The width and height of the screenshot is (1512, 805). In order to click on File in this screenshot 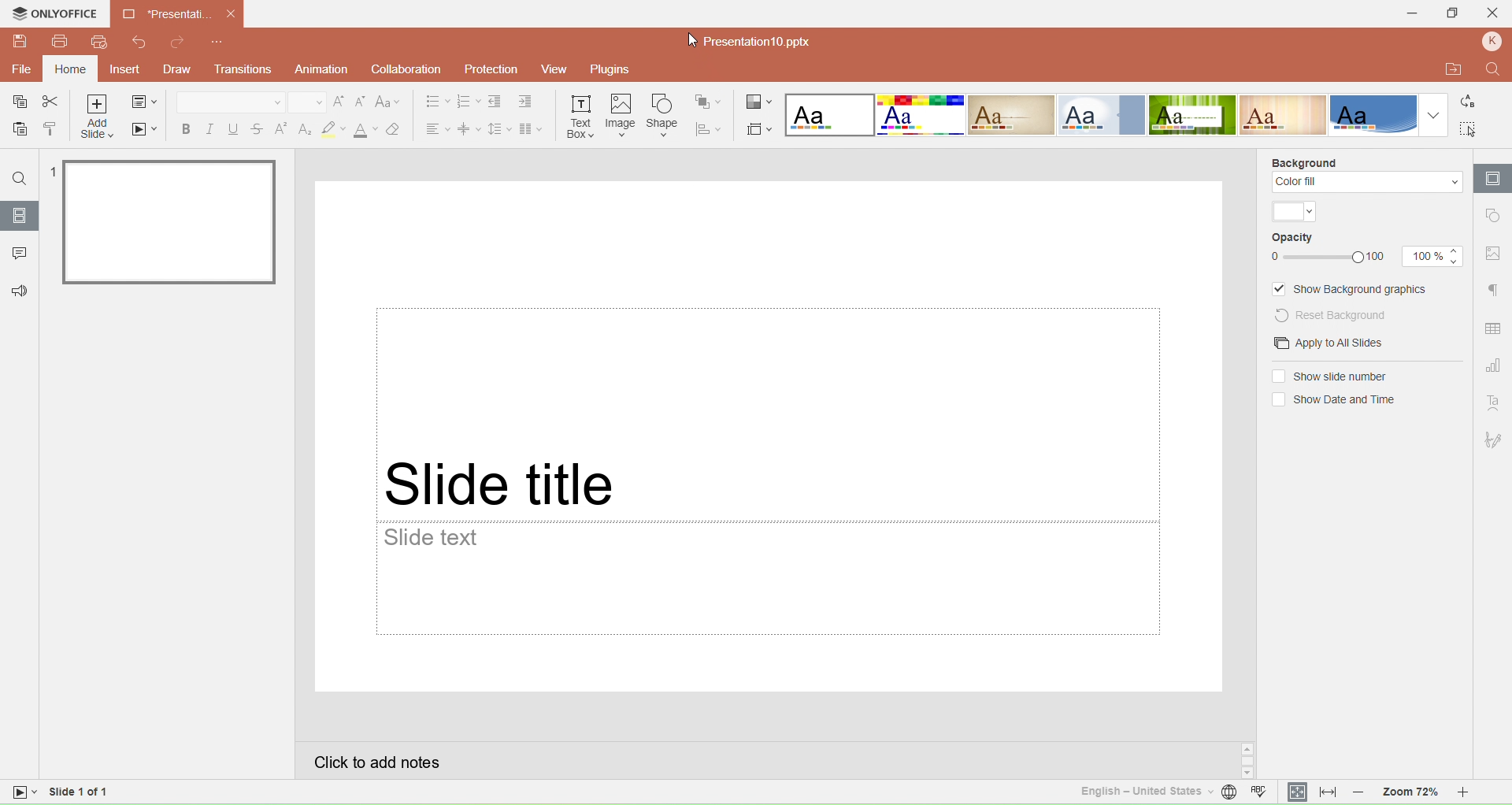, I will do `click(22, 69)`.